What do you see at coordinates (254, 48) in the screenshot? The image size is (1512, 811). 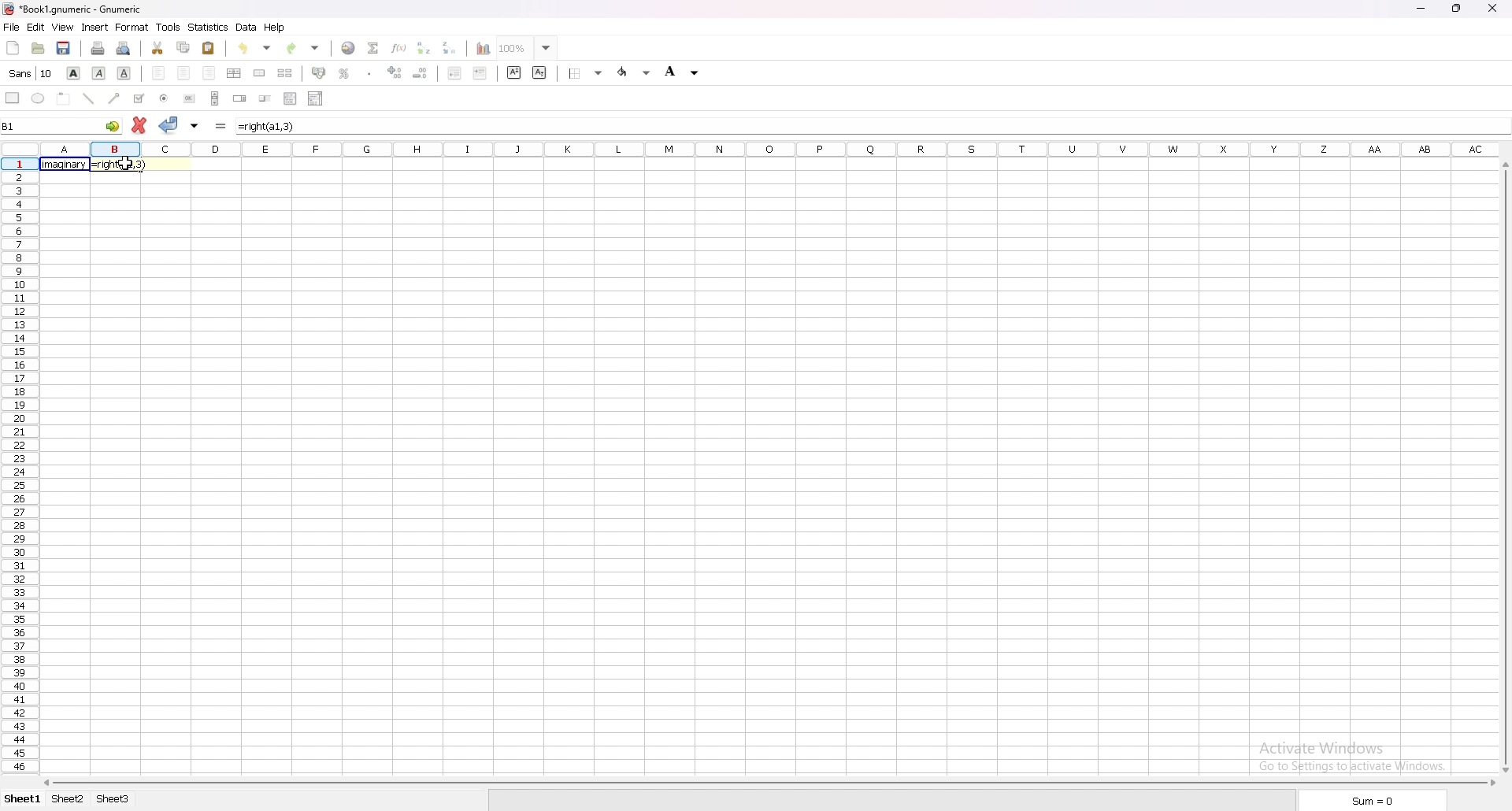 I see `undo` at bounding box center [254, 48].